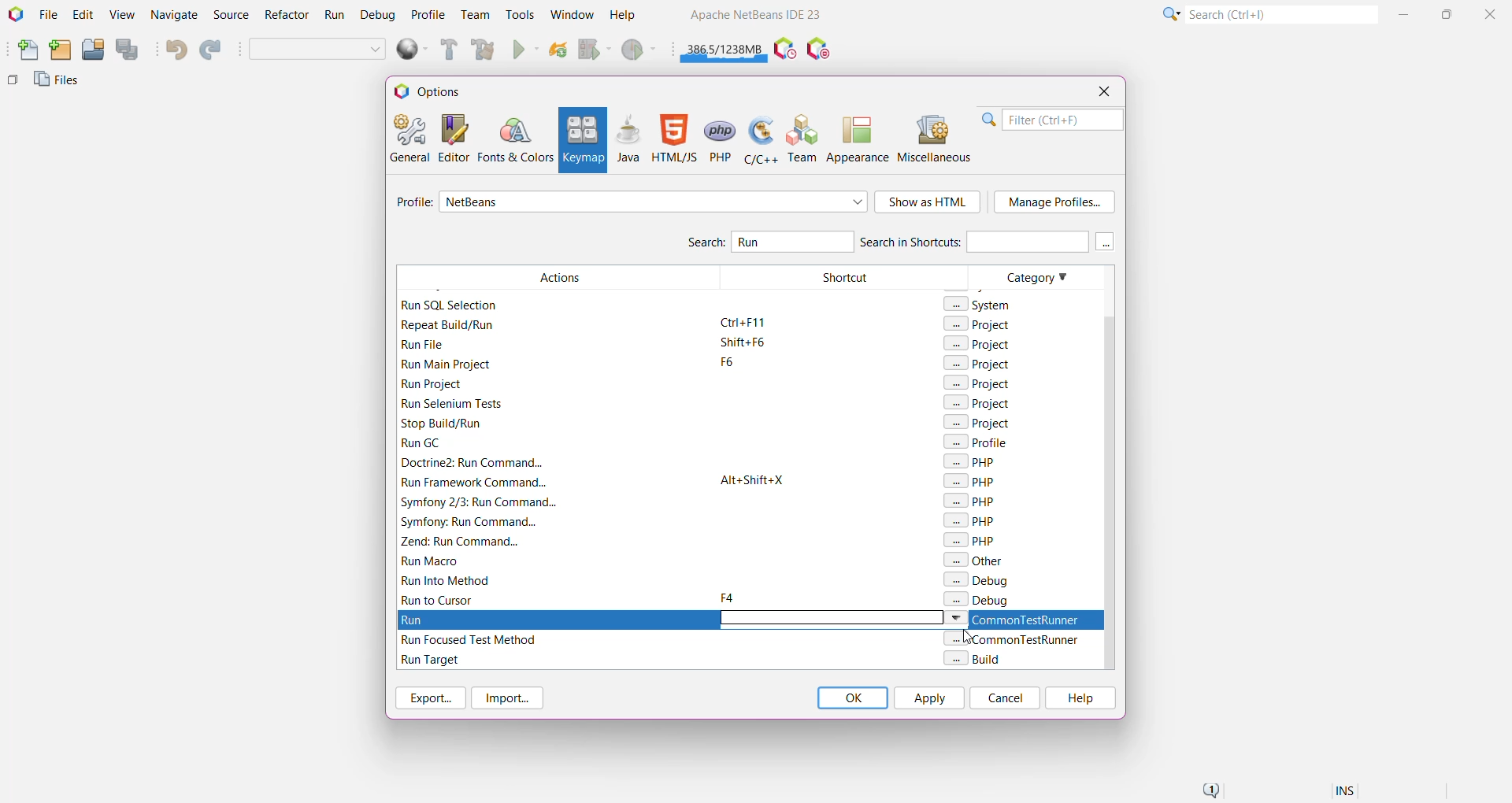 This screenshot has width=1512, height=803. Describe the element at coordinates (1347, 793) in the screenshot. I see `Insert Mode` at that location.